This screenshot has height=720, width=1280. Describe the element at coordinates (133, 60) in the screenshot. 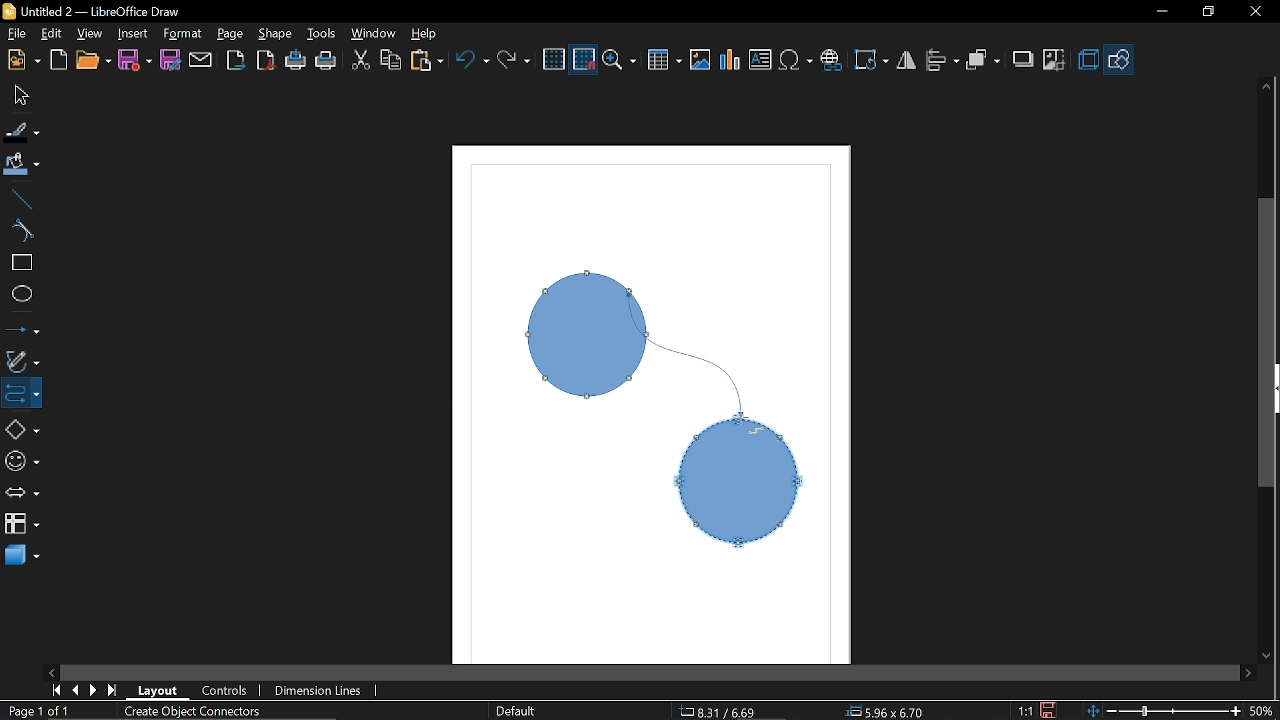

I see `Save` at that location.